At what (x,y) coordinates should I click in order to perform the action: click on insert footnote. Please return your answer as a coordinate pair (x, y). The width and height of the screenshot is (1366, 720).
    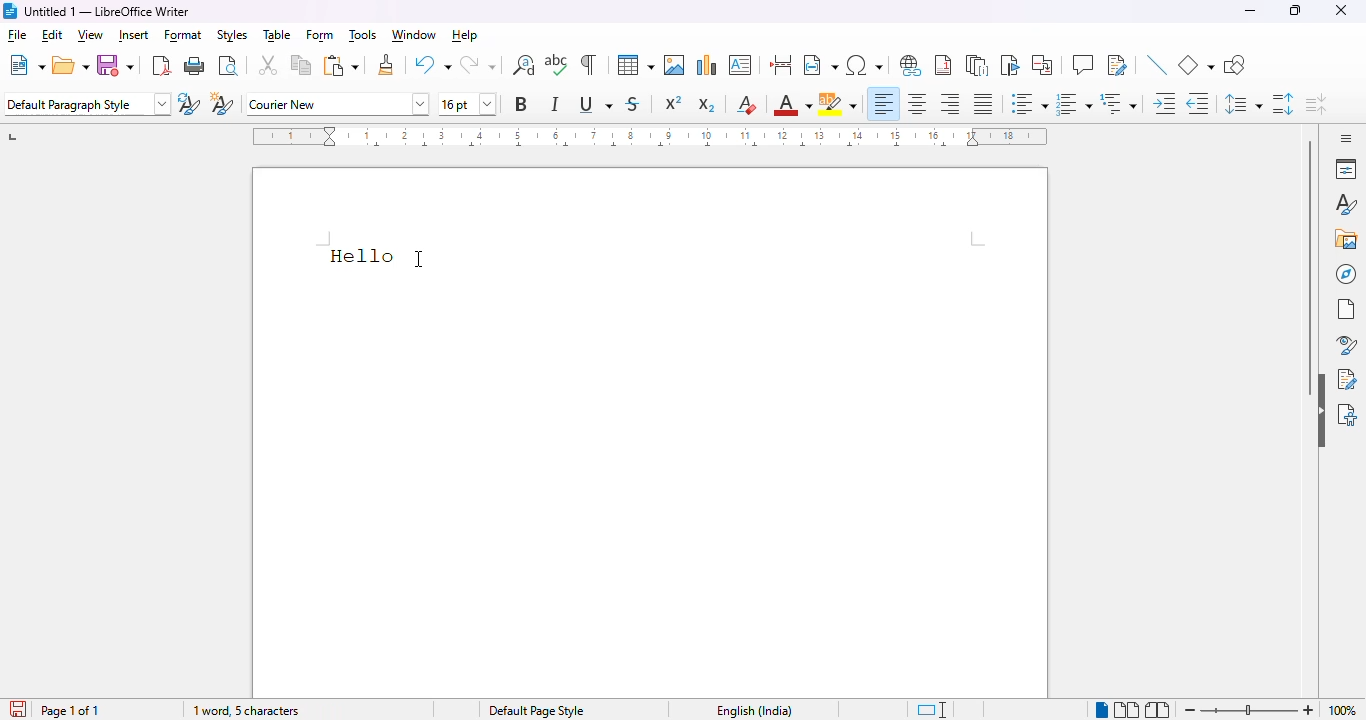
    Looking at the image, I should click on (943, 65).